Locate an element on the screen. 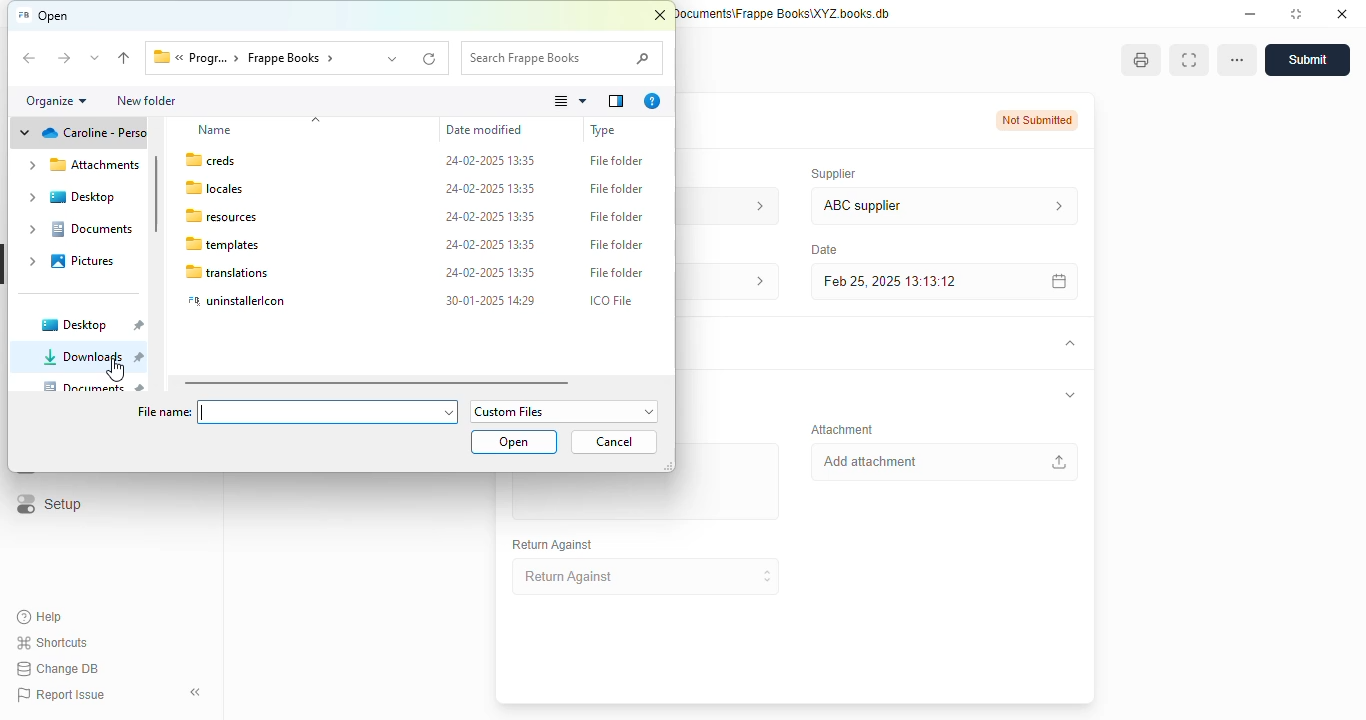 This screenshot has width=1366, height=720. return against is located at coordinates (647, 577).